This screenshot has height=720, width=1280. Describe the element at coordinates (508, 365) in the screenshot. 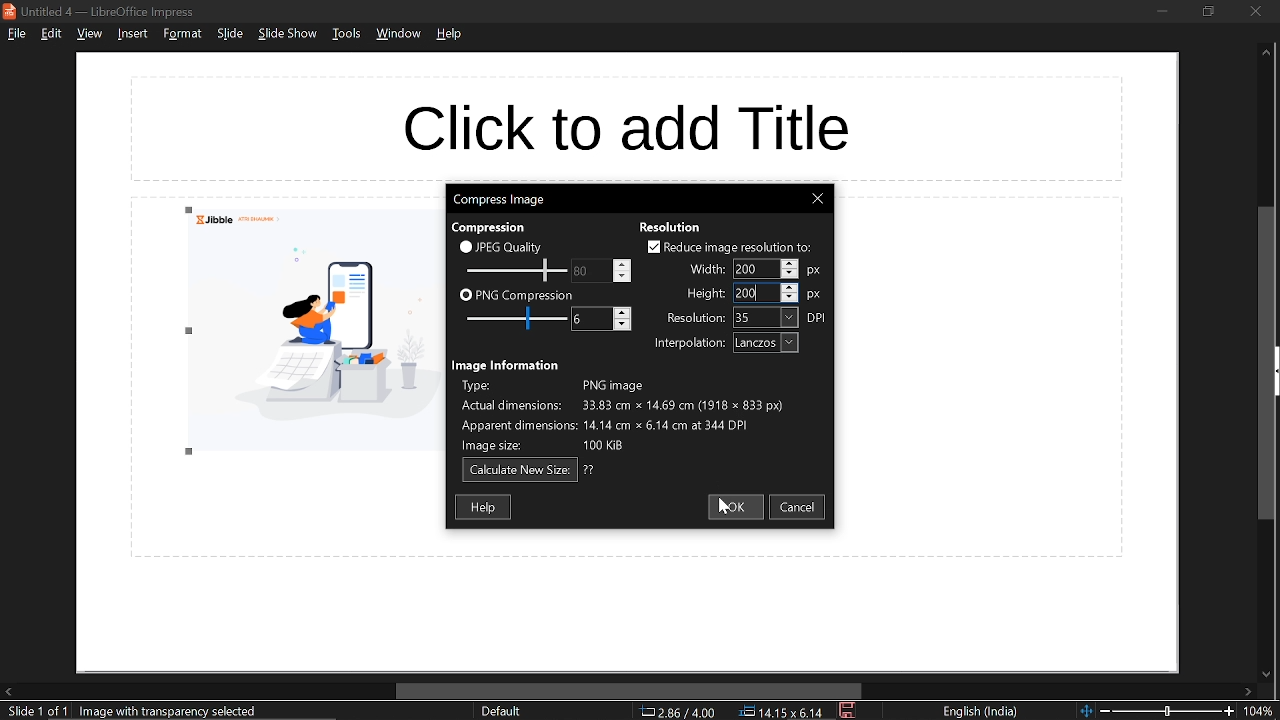

I see `image information` at that location.